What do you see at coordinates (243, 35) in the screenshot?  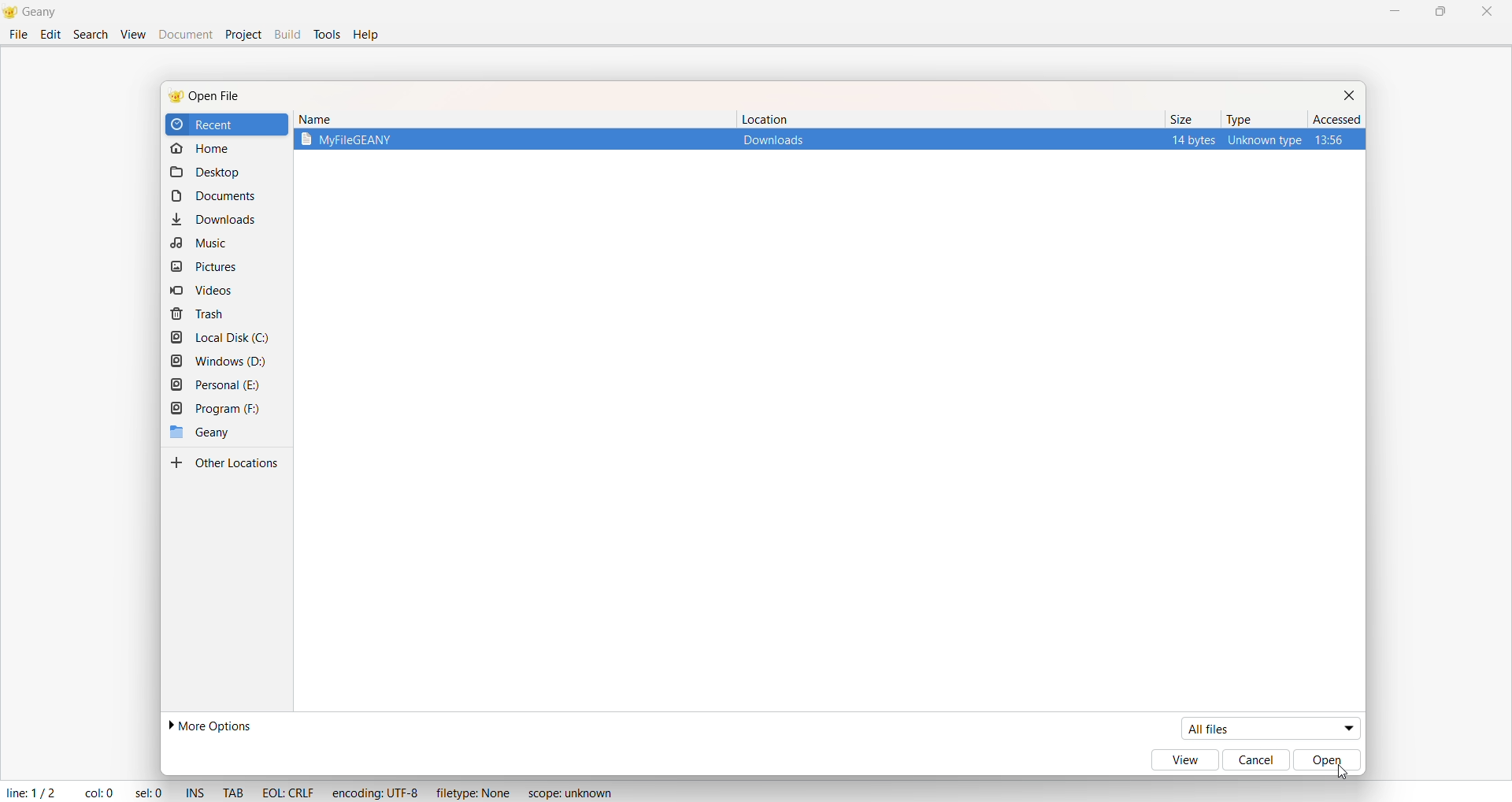 I see `Project` at bounding box center [243, 35].